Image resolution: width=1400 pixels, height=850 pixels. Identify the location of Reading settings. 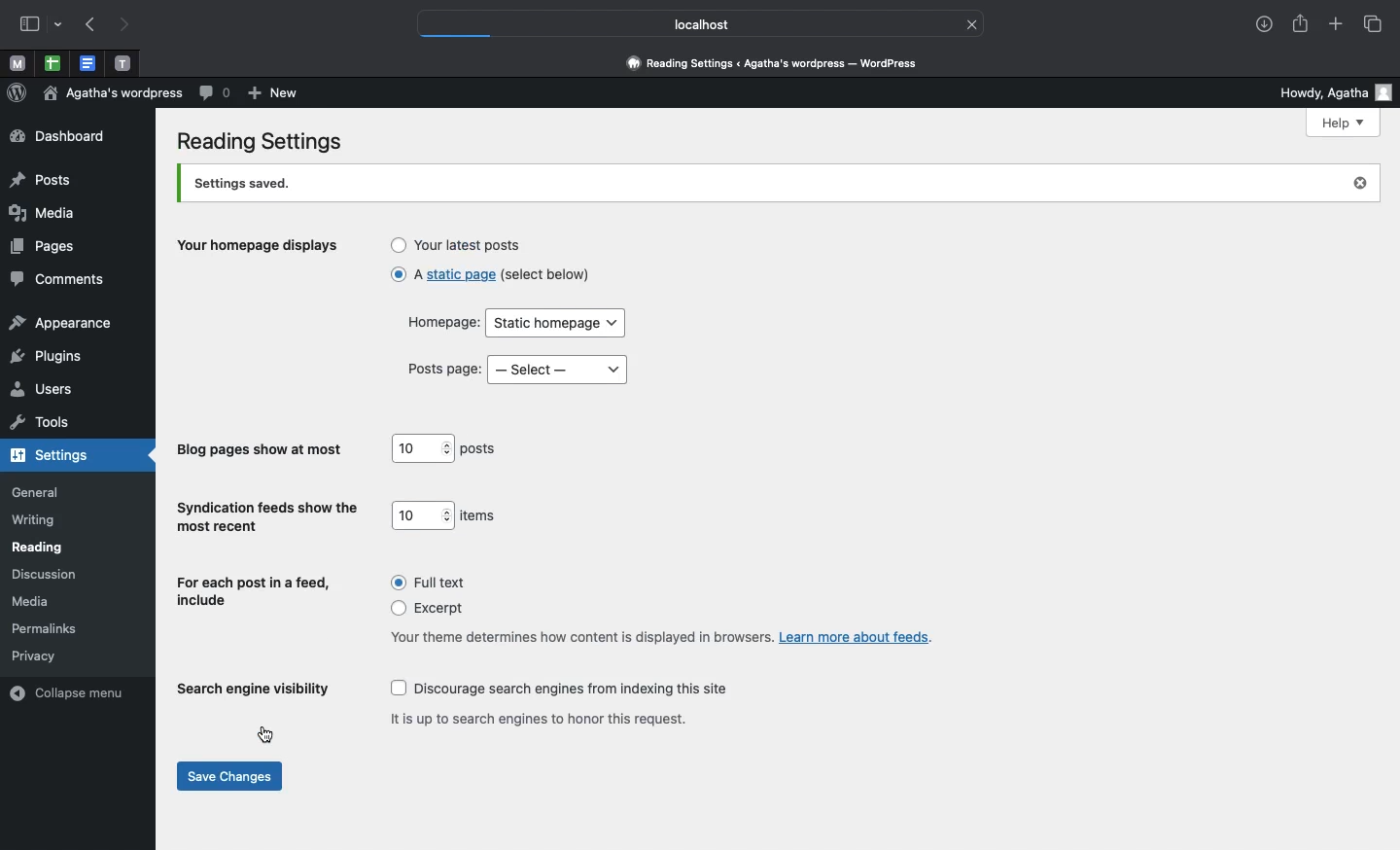
(264, 143).